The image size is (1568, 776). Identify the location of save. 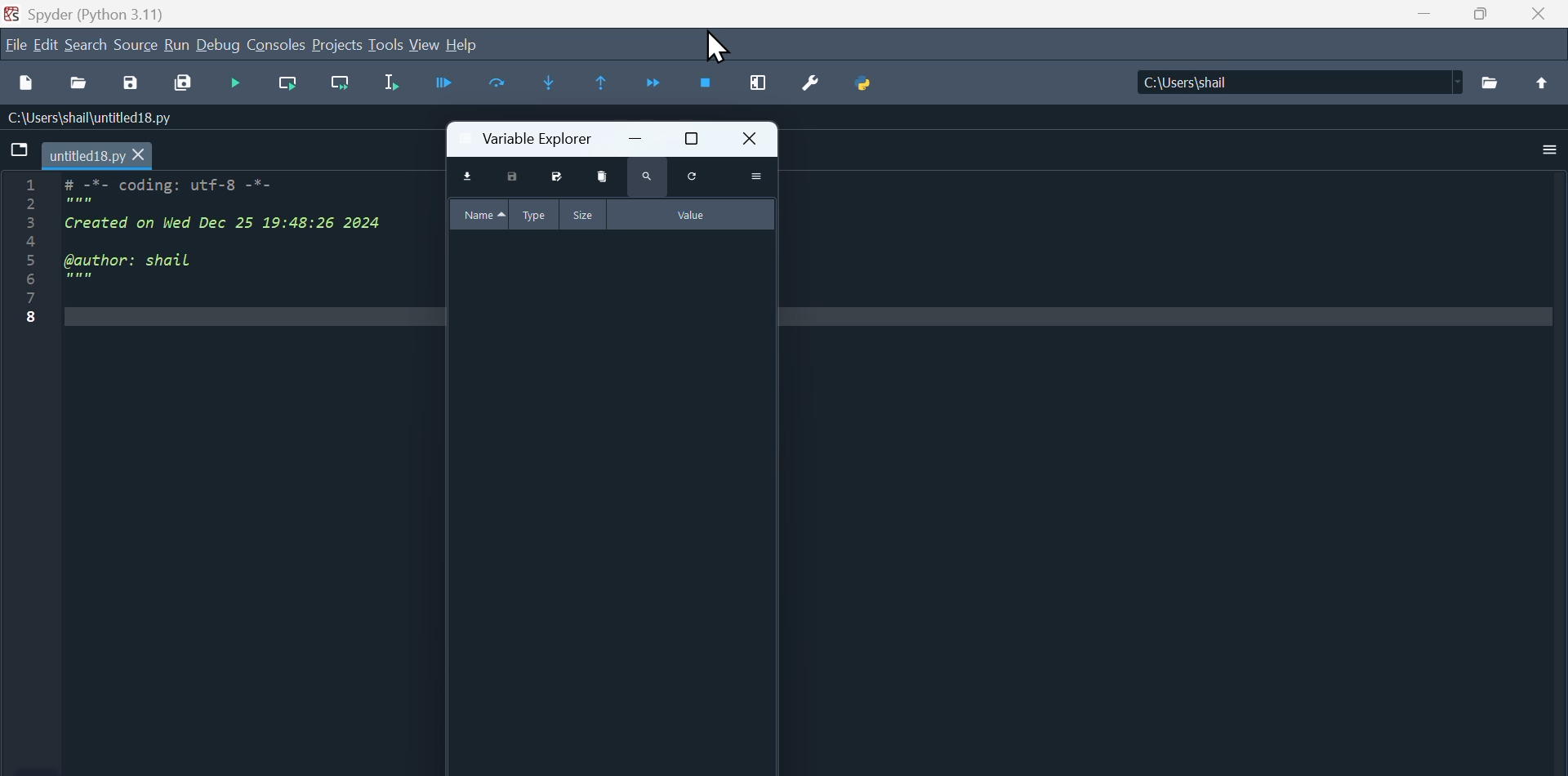
(513, 178).